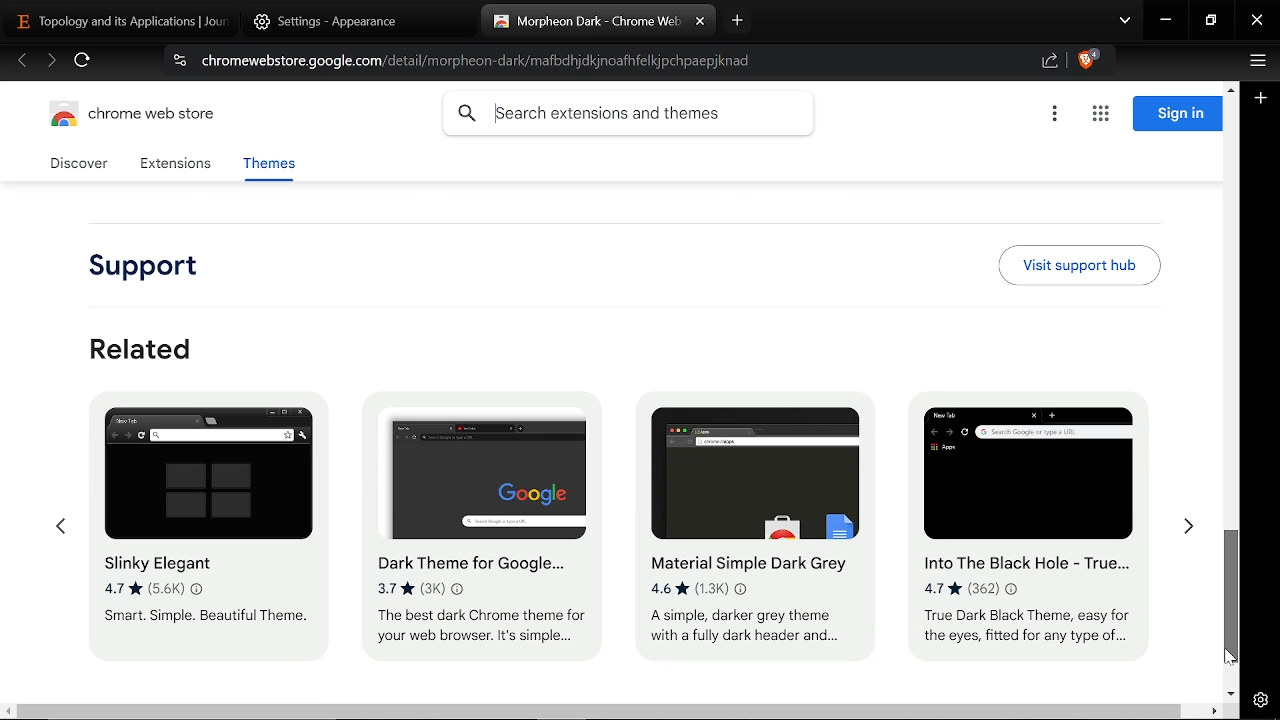 The image size is (1280, 720). I want to click on Search tabs, so click(1125, 22).